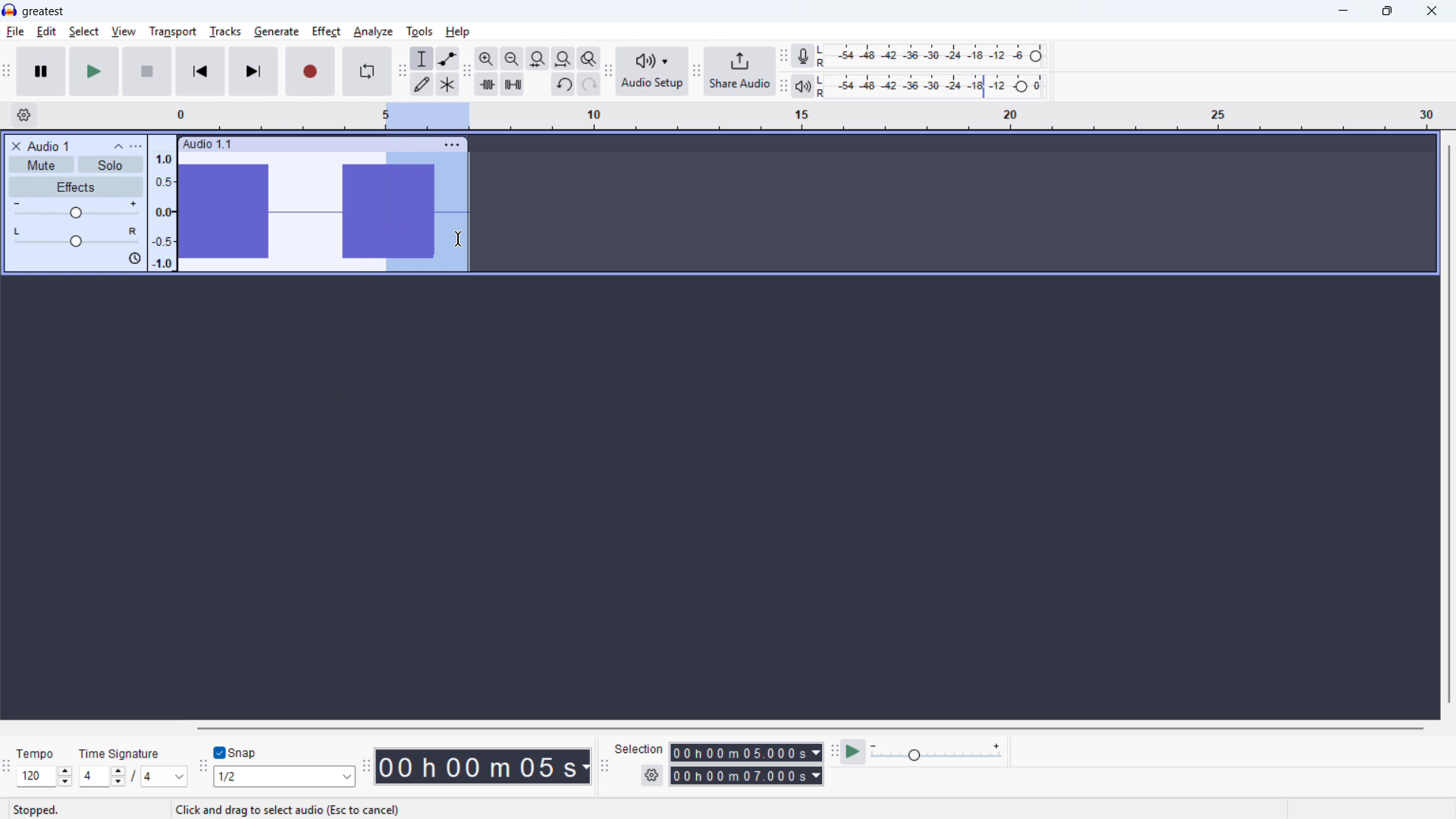  I want to click on Timeline , so click(808, 117).